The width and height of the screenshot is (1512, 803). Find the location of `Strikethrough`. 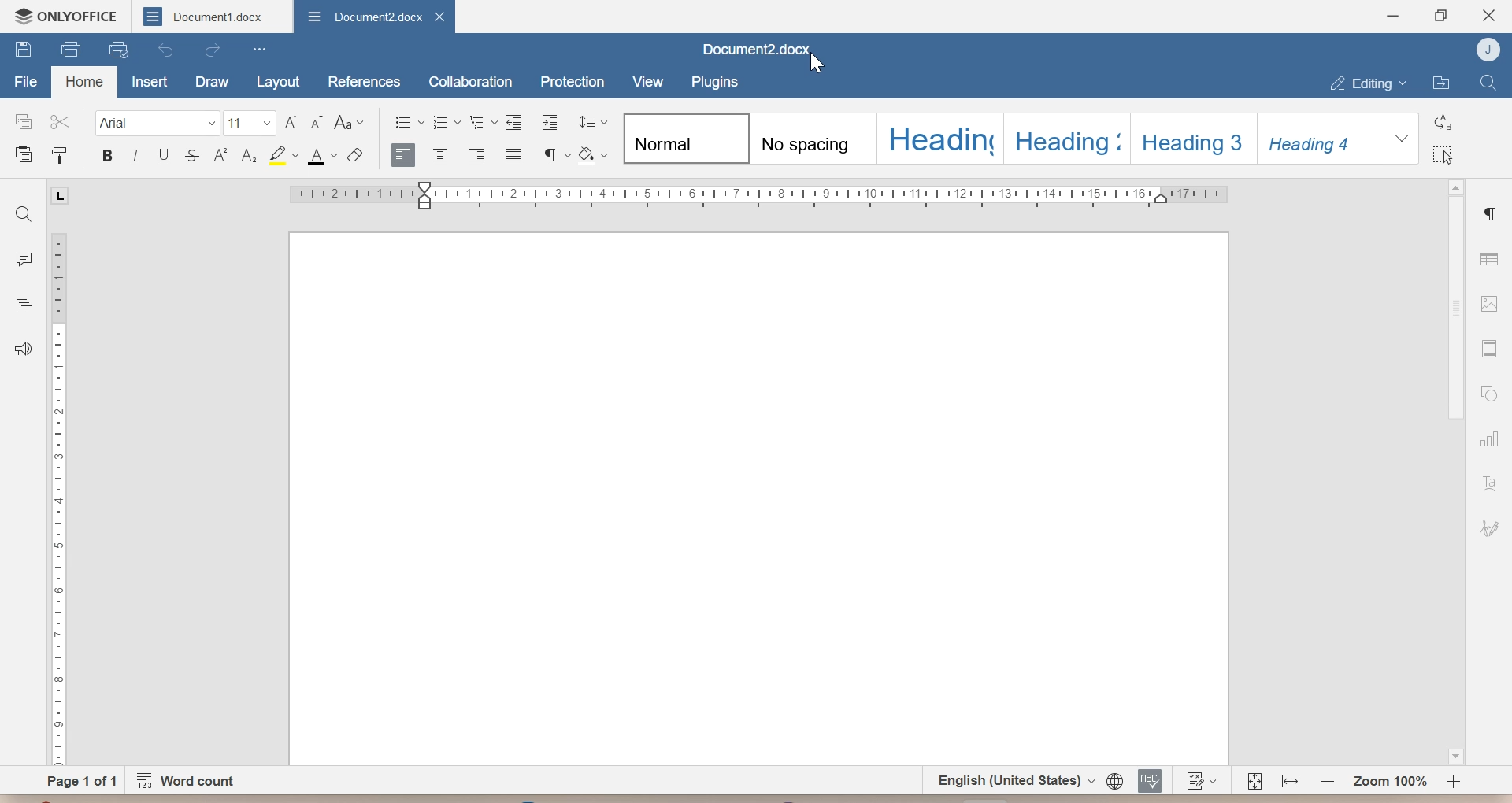

Strikethrough is located at coordinates (192, 156).